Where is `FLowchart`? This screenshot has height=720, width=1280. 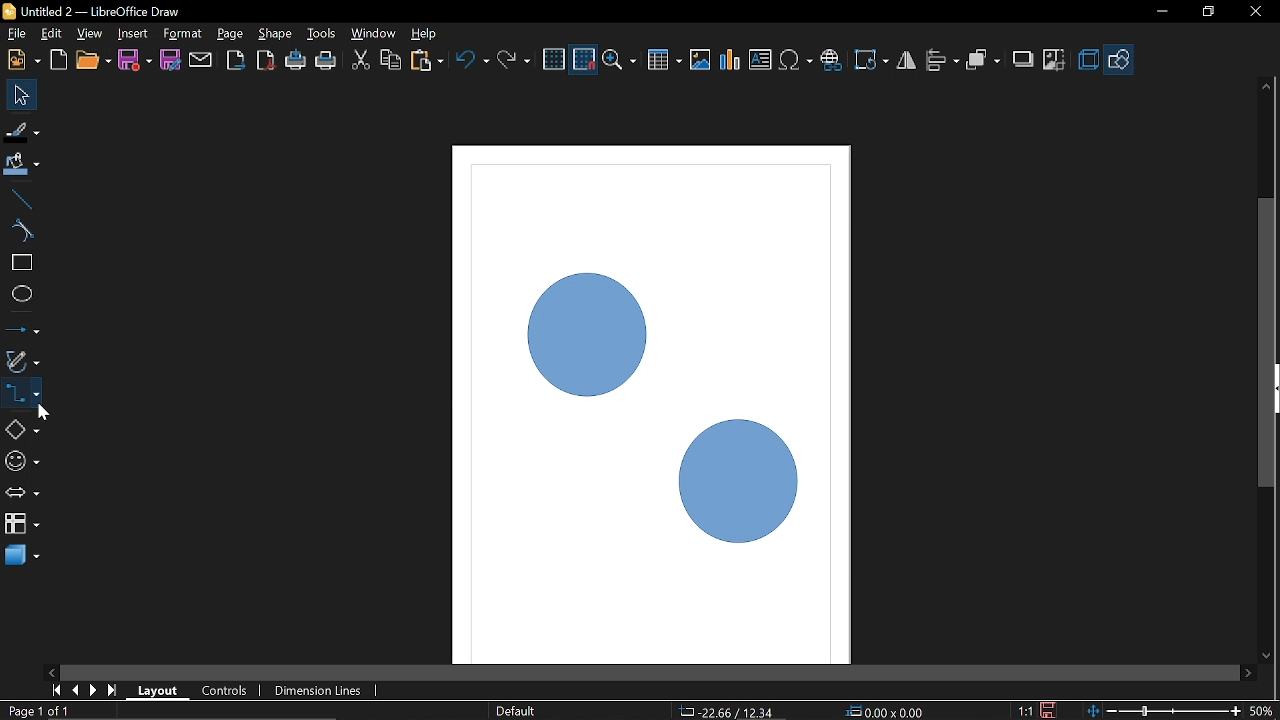
FLowchart is located at coordinates (22, 525).